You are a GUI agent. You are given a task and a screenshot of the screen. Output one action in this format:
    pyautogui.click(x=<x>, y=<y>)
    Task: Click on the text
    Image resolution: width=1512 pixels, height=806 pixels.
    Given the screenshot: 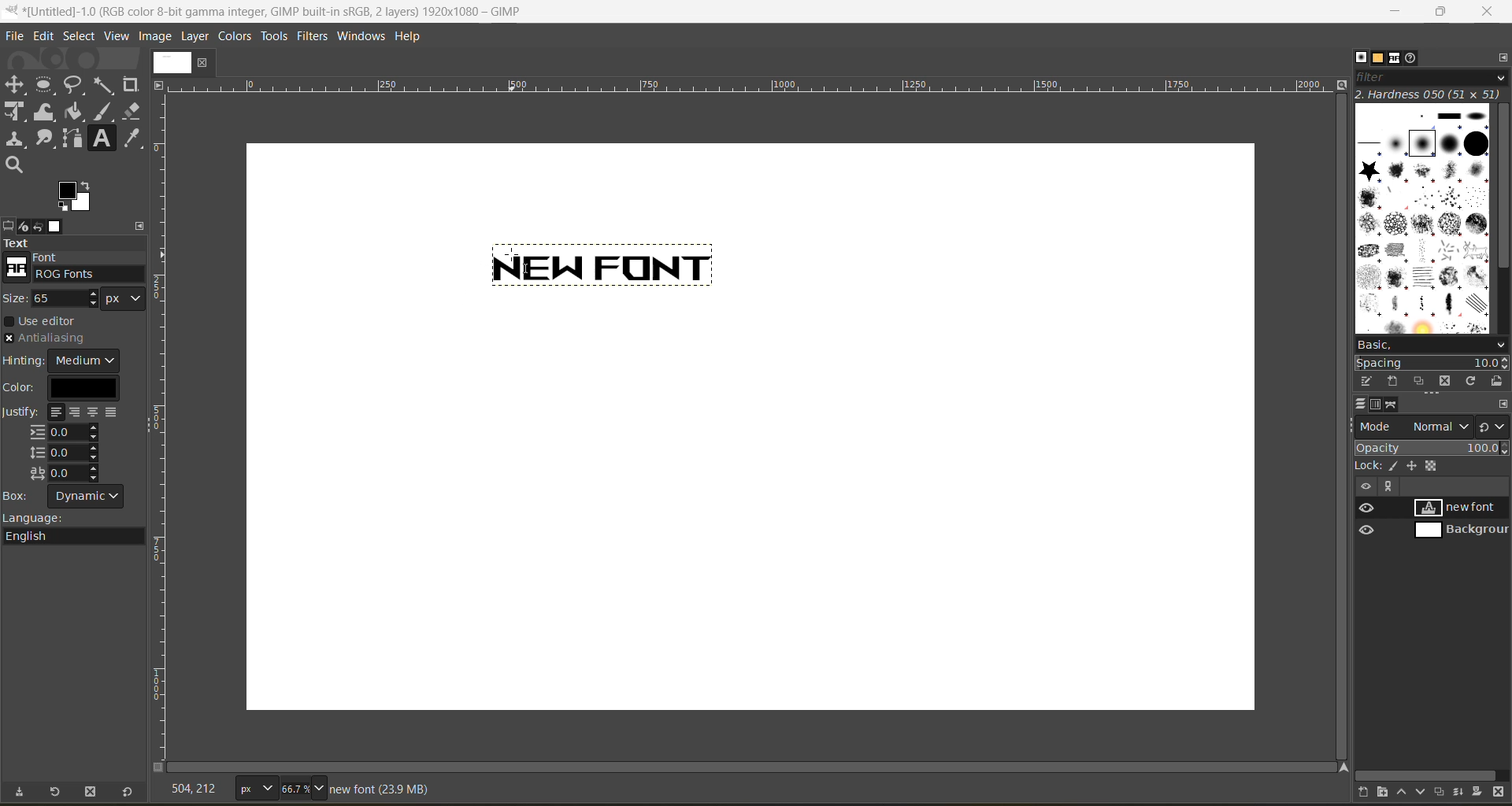 What is the action you would take?
    pyautogui.click(x=600, y=264)
    